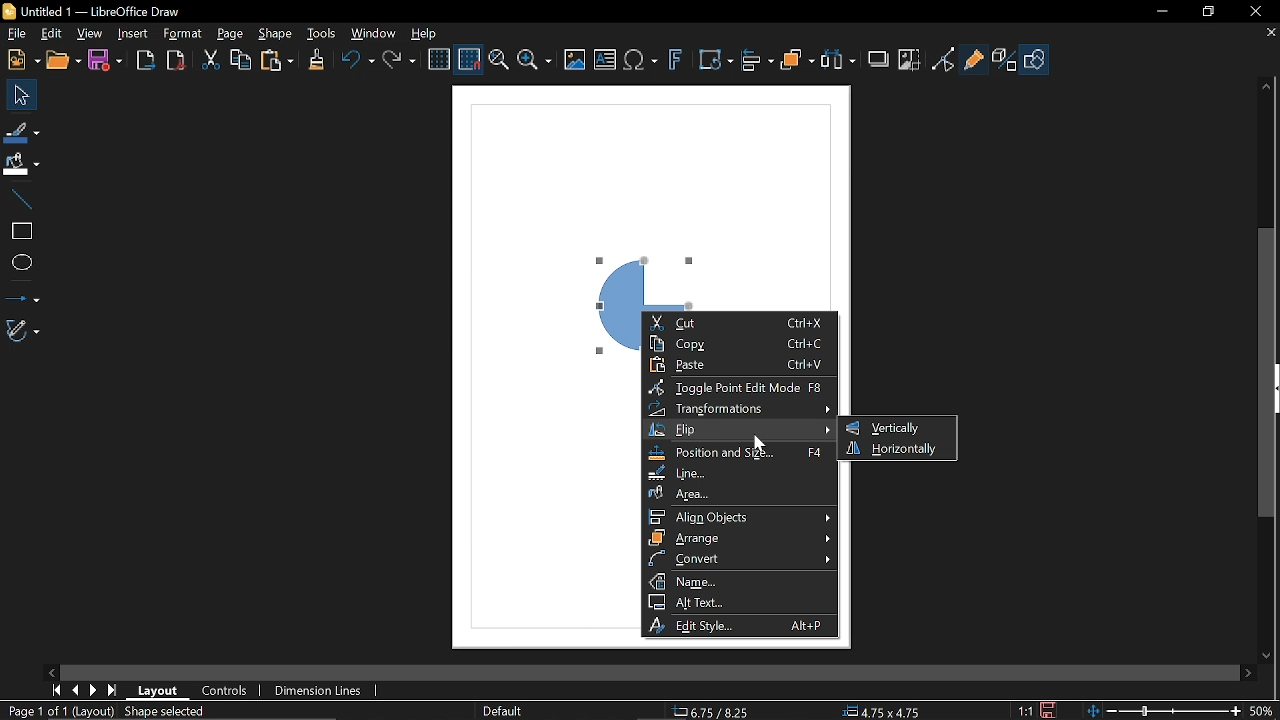  Describe the element at coordinates (740, 581) in the screenshot. I see `Name` at that location.